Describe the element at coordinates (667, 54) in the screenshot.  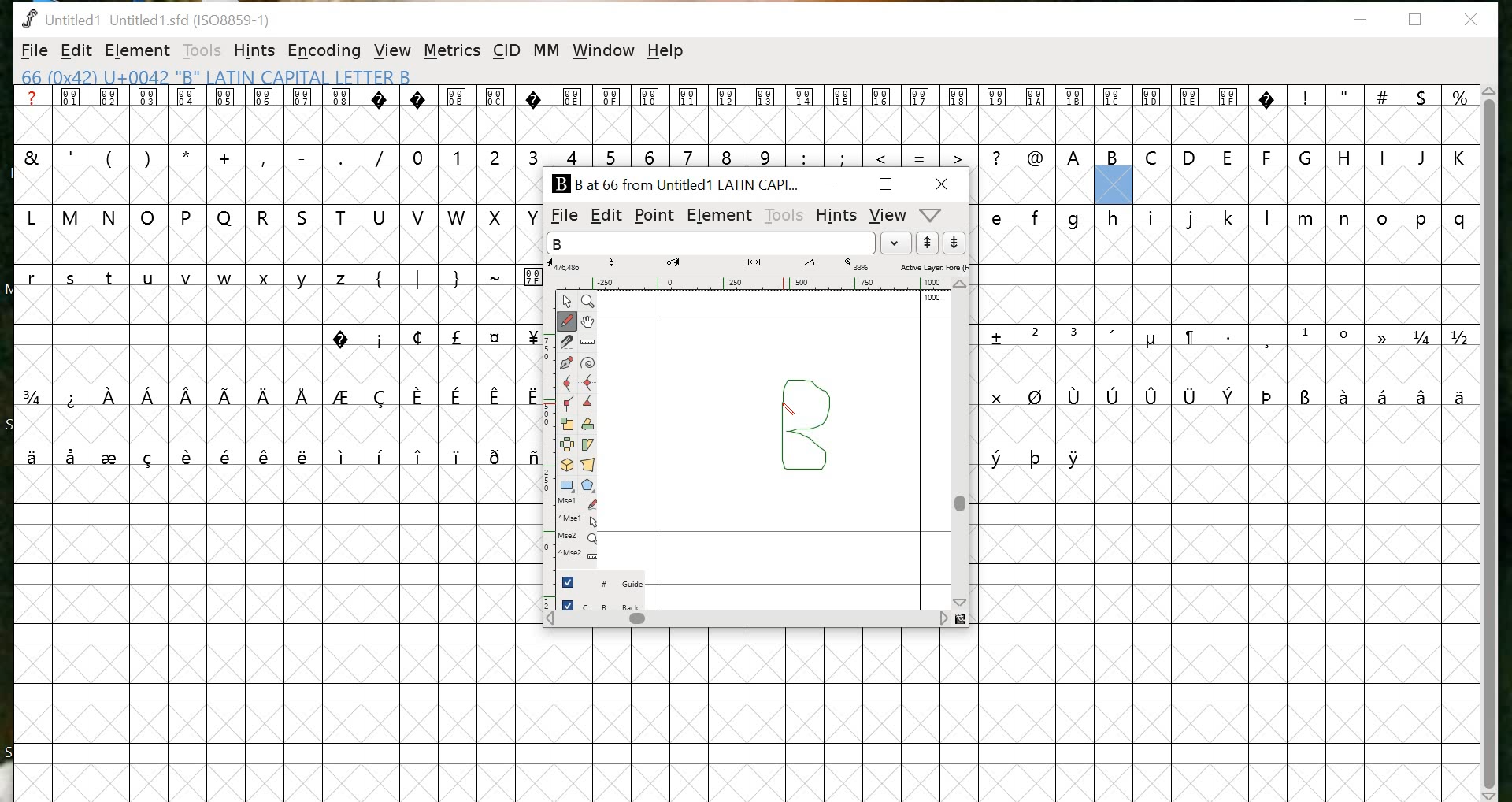
I see `help` at that location.